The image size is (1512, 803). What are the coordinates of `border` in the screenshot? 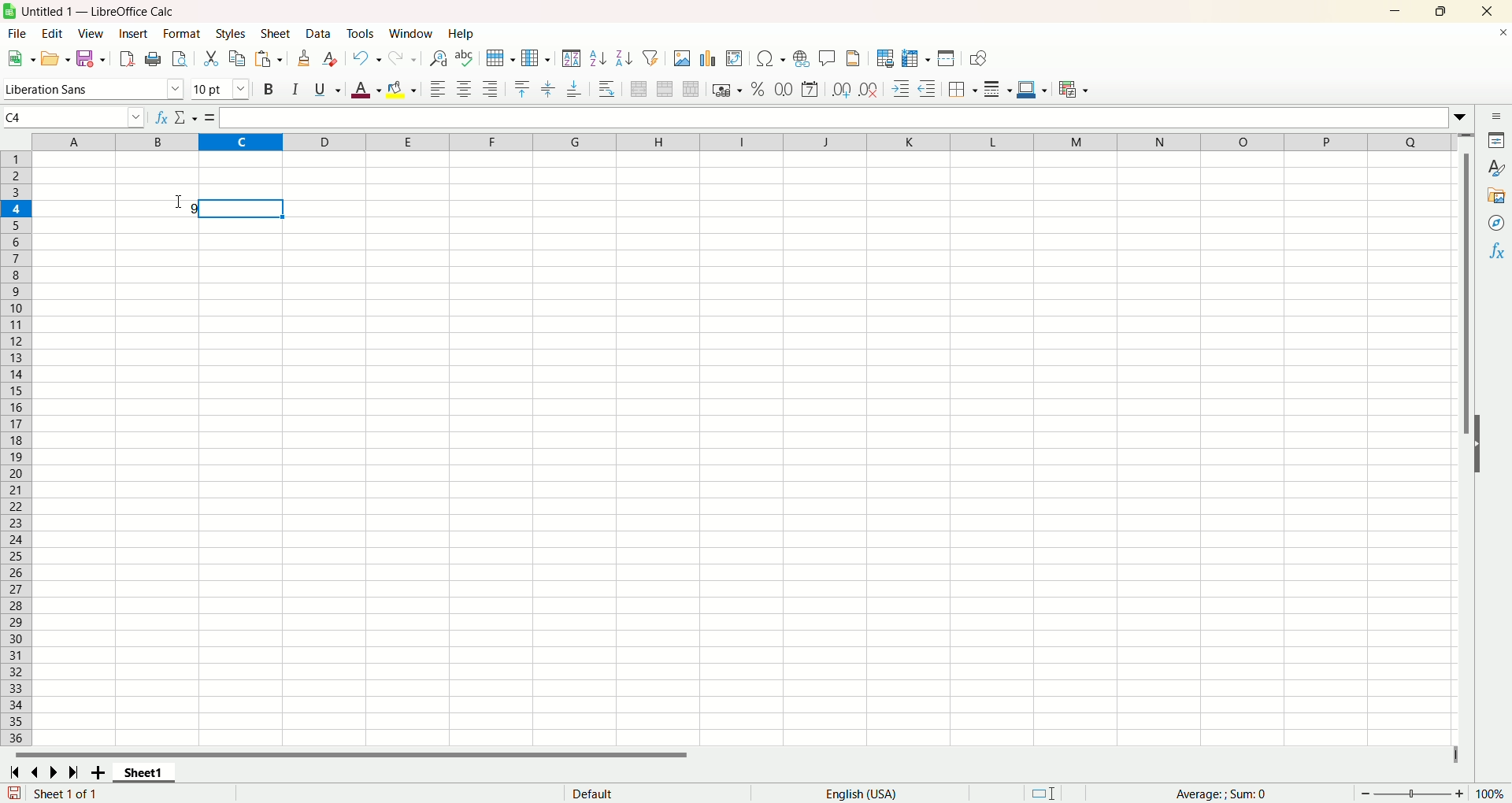 It's located at (963, 89).